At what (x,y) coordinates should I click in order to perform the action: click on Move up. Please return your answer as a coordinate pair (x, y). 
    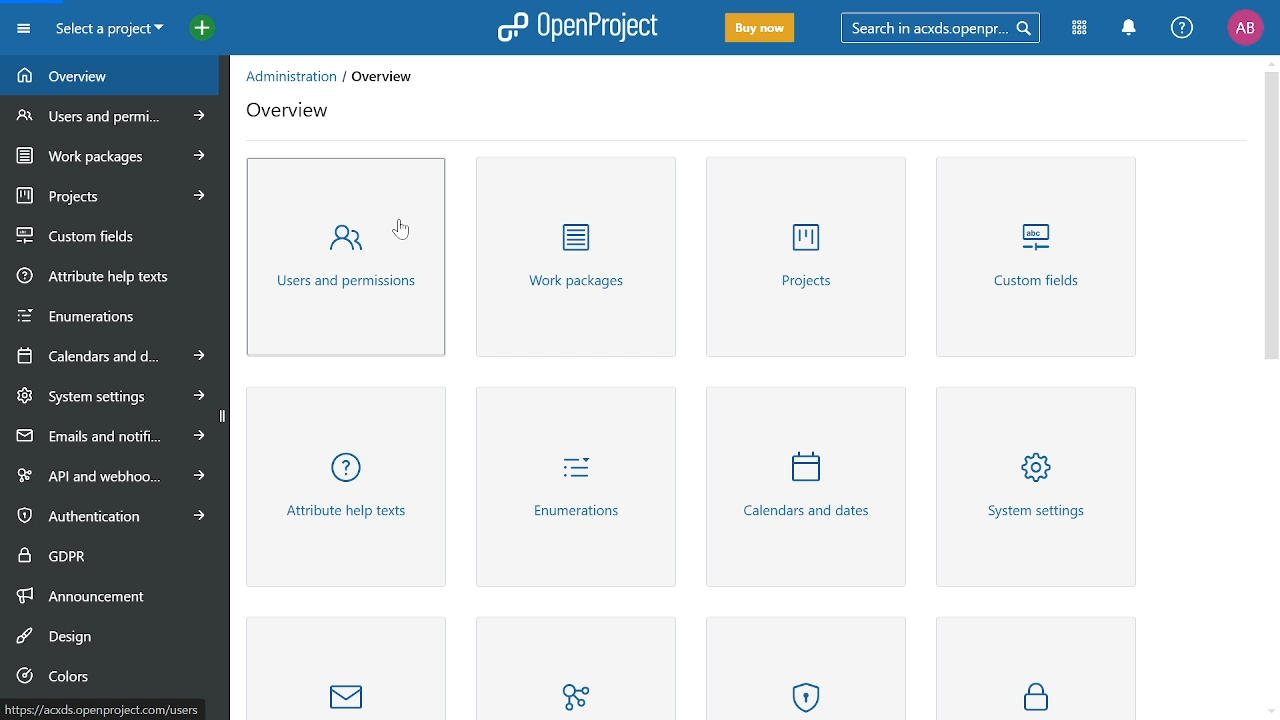
    Looking at the image, I should click on (1268, 60).